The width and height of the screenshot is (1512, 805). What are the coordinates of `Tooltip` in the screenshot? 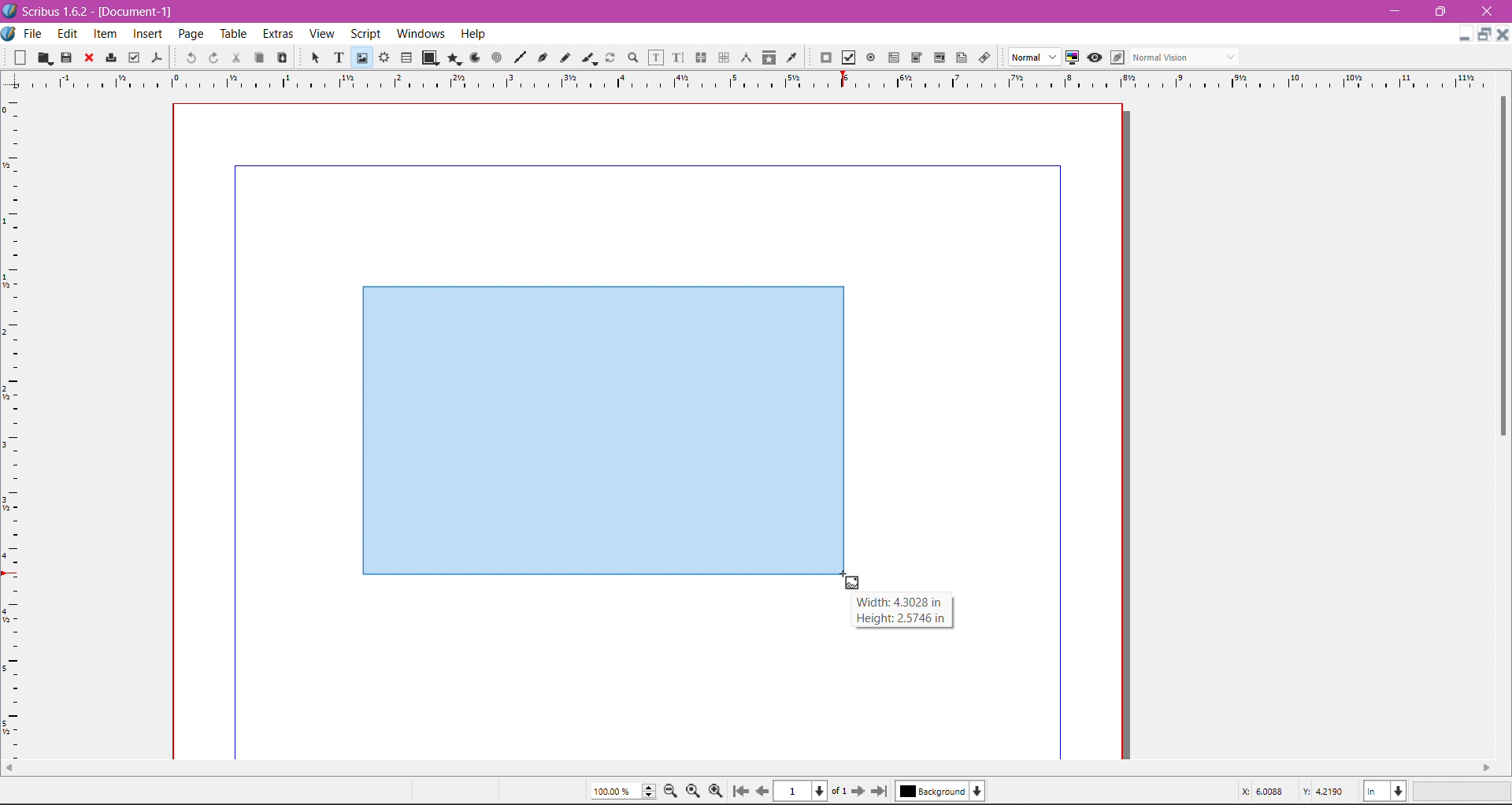 It's located at (900, 610).